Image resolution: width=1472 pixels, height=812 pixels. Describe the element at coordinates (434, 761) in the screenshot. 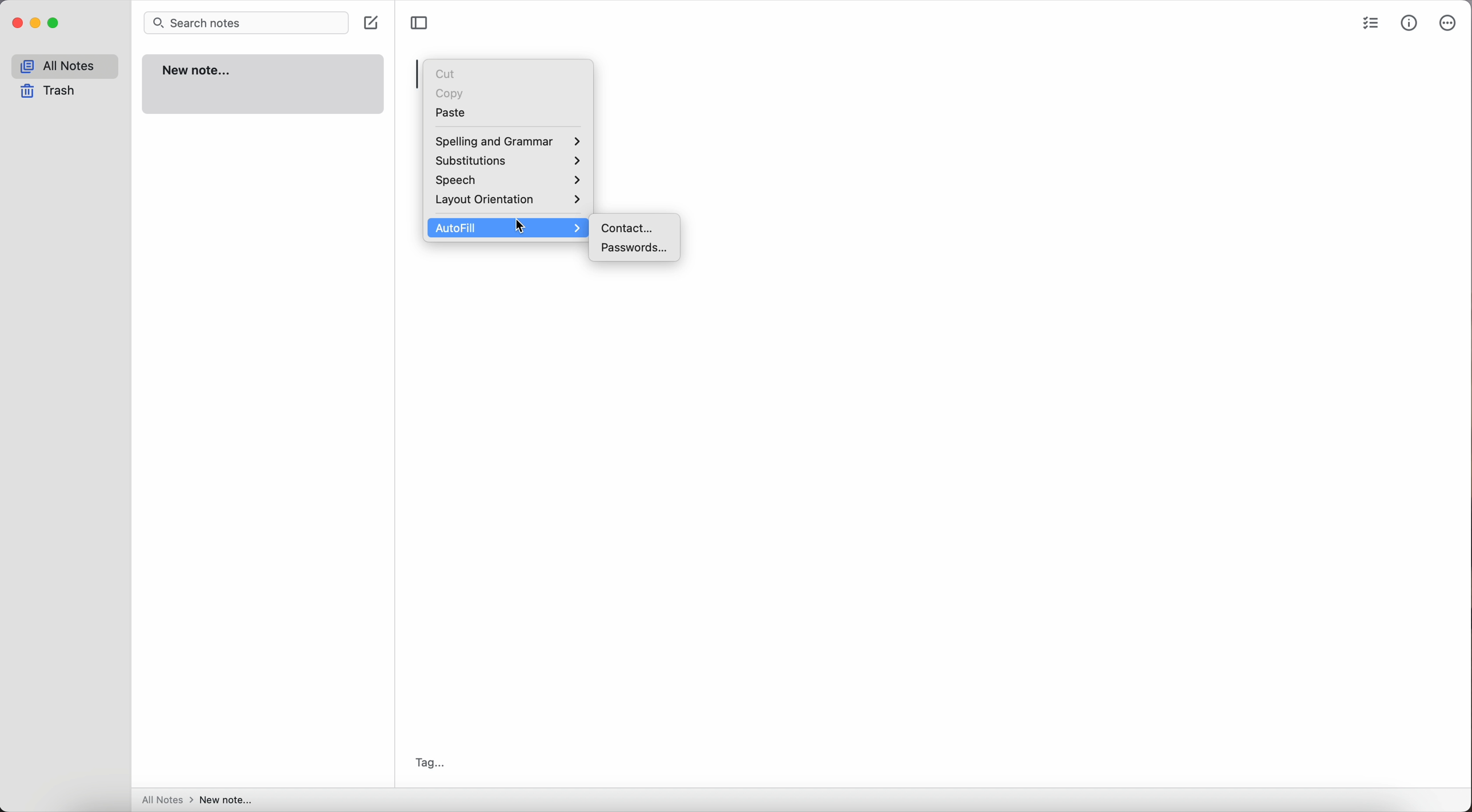

I see `tag` at that location.